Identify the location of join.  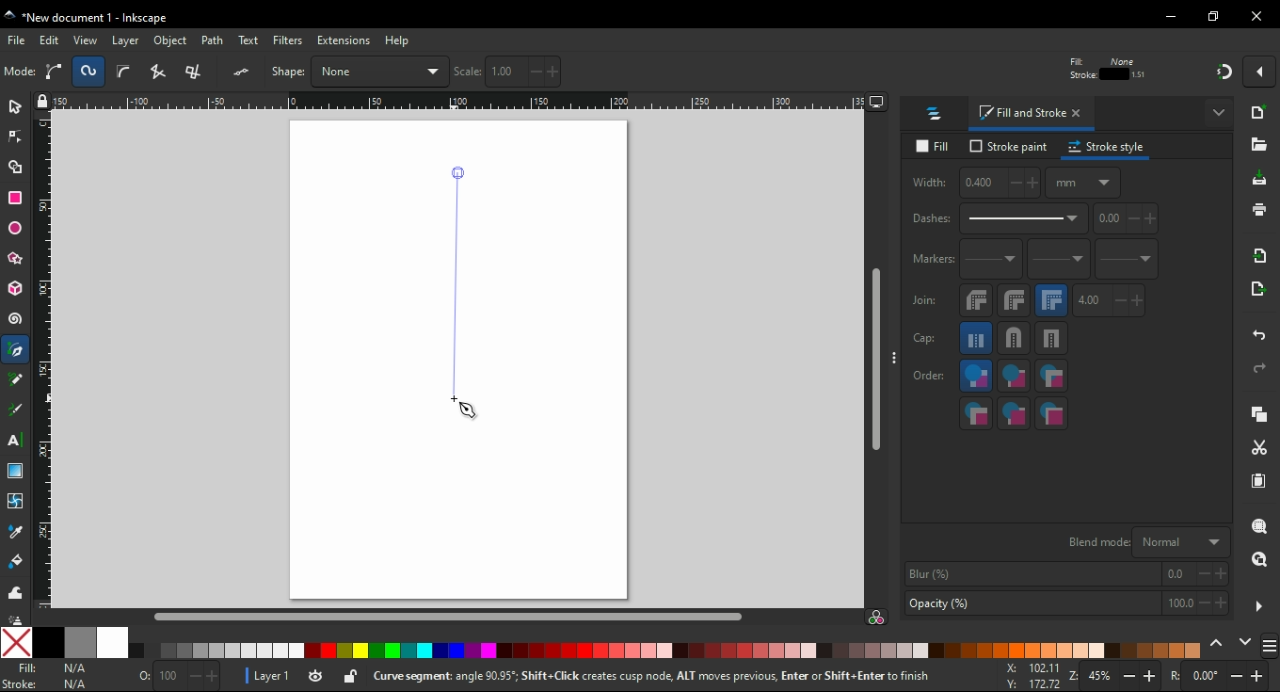
(924, 300).